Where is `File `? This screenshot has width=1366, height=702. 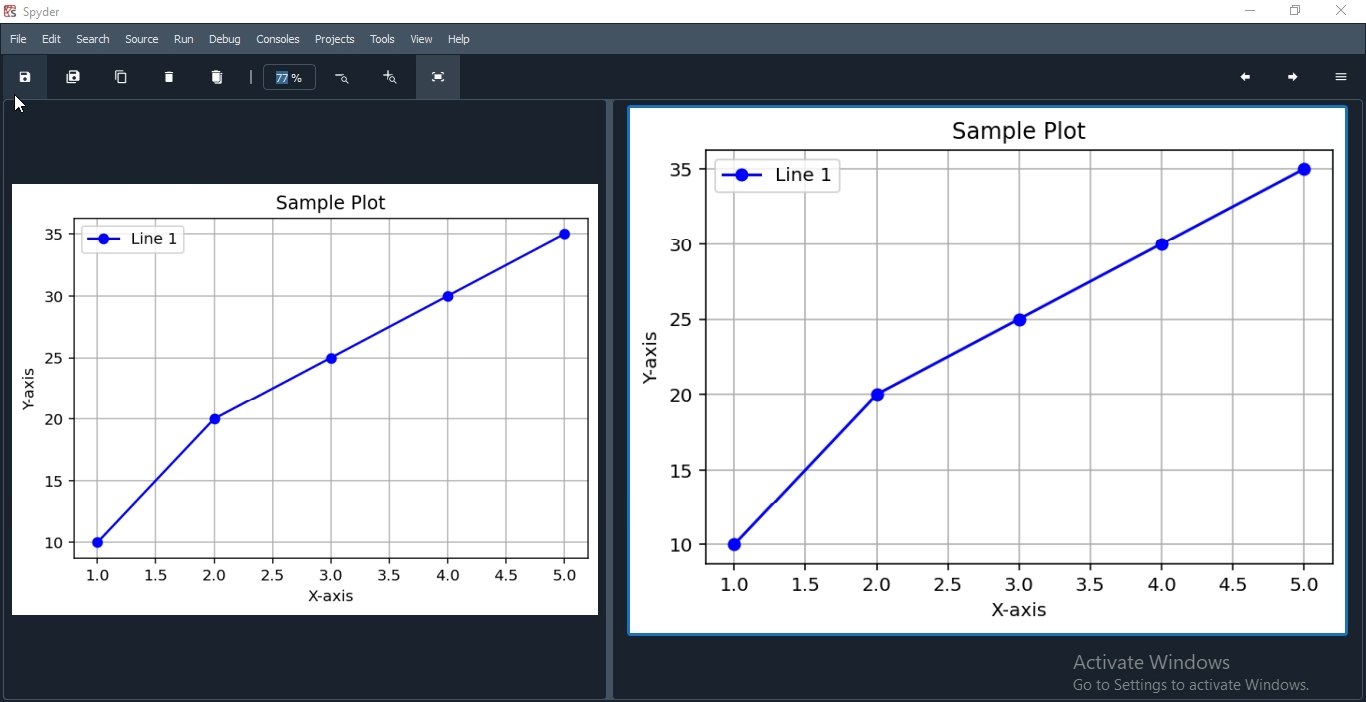
File  is located at coordinates (18, 39).